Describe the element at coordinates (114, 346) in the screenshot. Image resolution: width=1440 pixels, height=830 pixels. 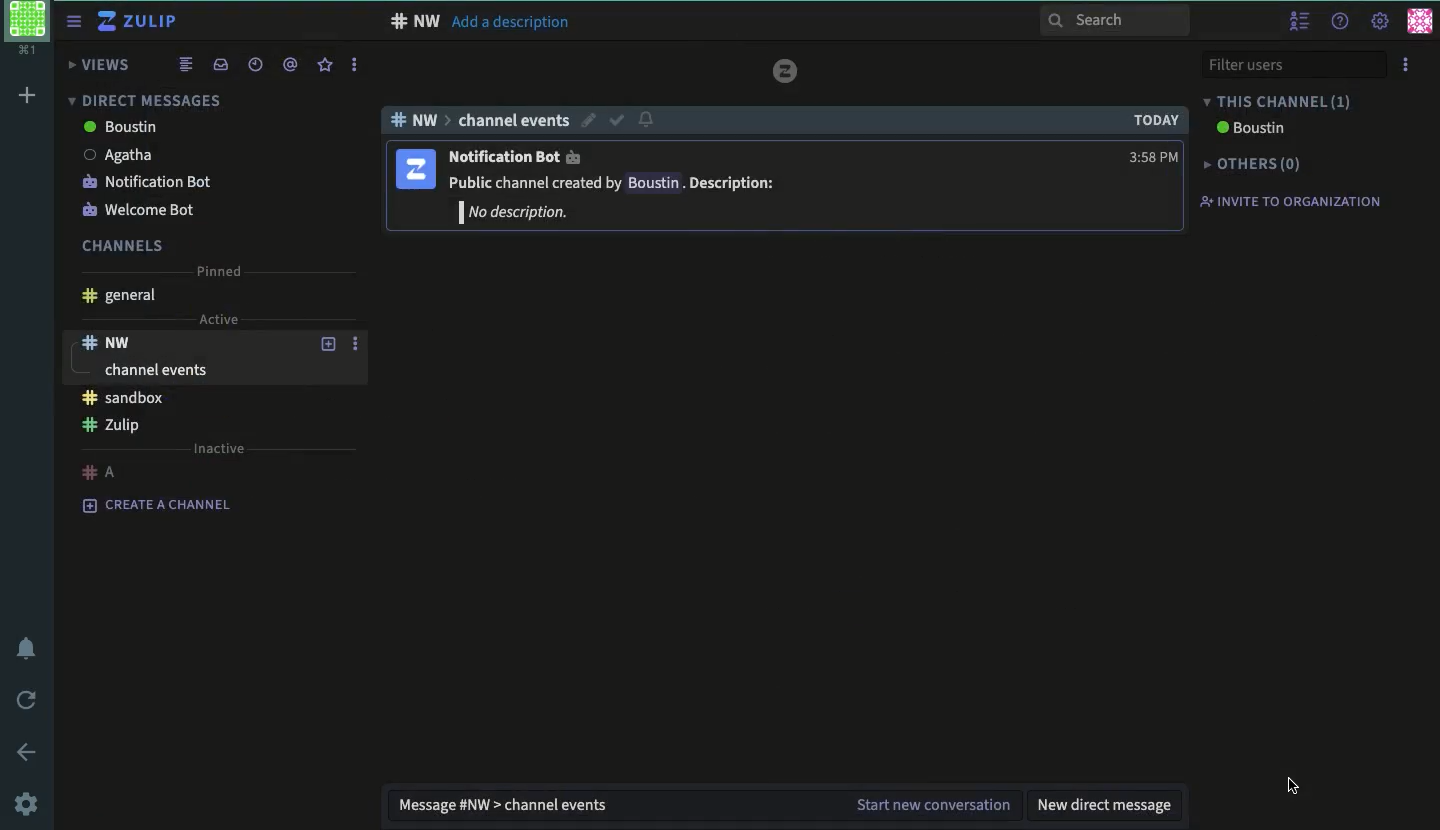
I see `nw` at that location.